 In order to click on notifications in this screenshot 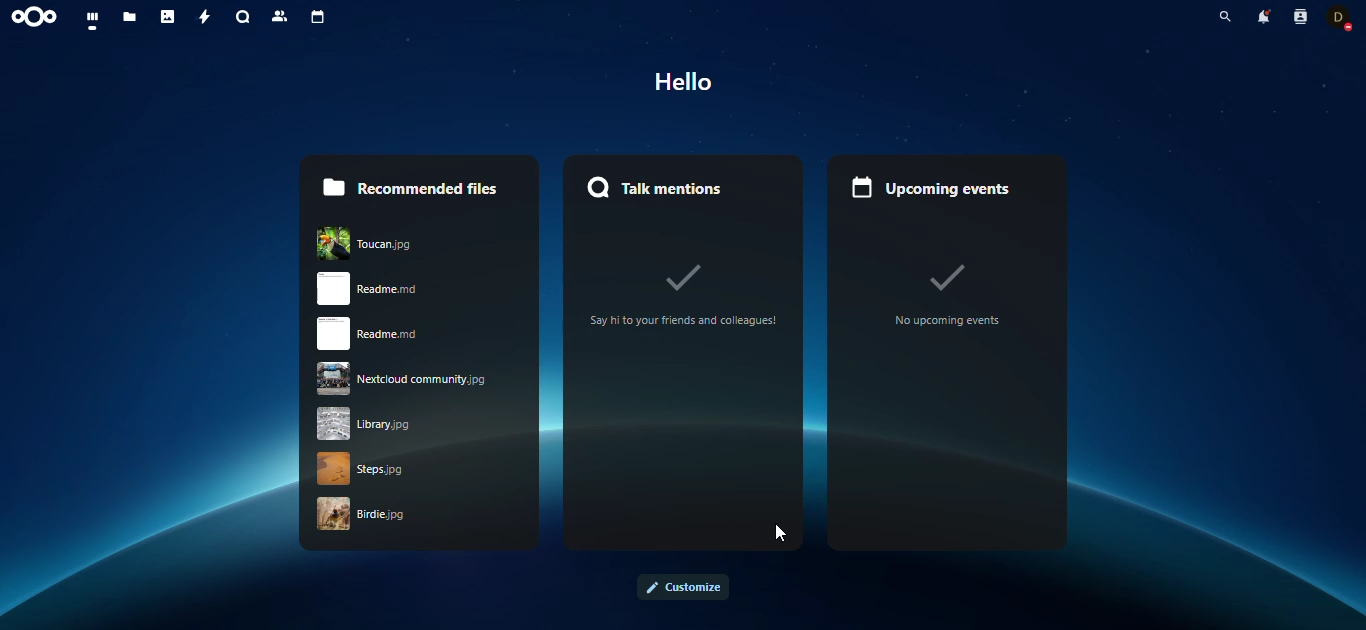, I will do `click(1263, 16)`.